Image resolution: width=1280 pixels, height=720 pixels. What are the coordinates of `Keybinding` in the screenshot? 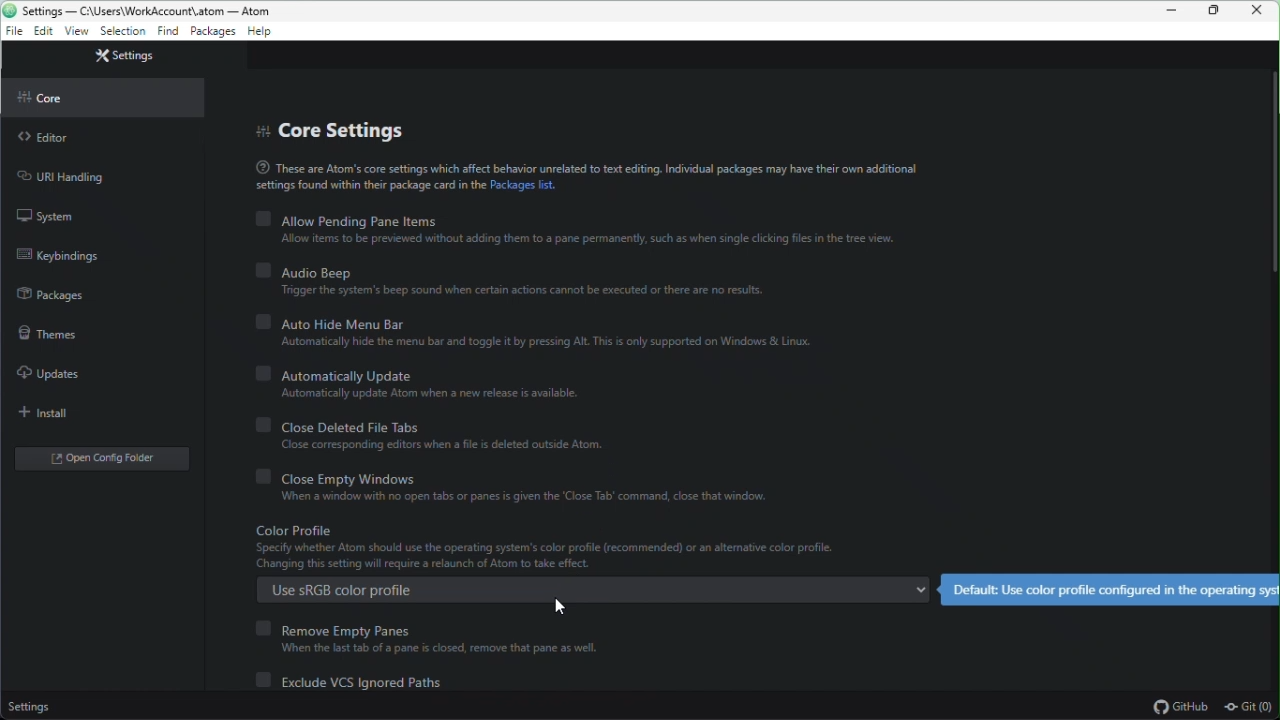 It's located at (68, 254).